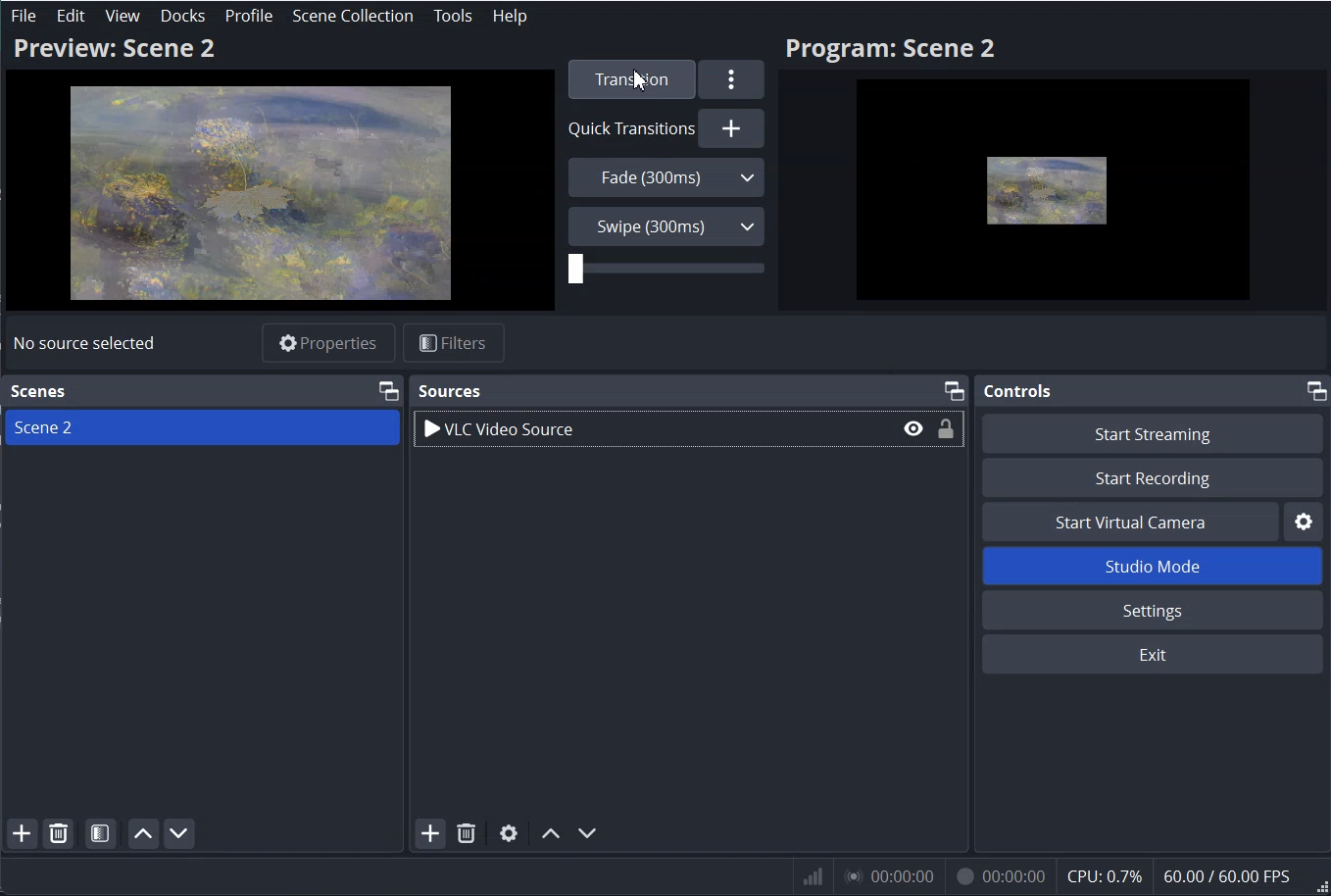 Image resolution: width=1331 pixels, height=896 pixels. I want to click on Move Source Down, so click(587, 831).